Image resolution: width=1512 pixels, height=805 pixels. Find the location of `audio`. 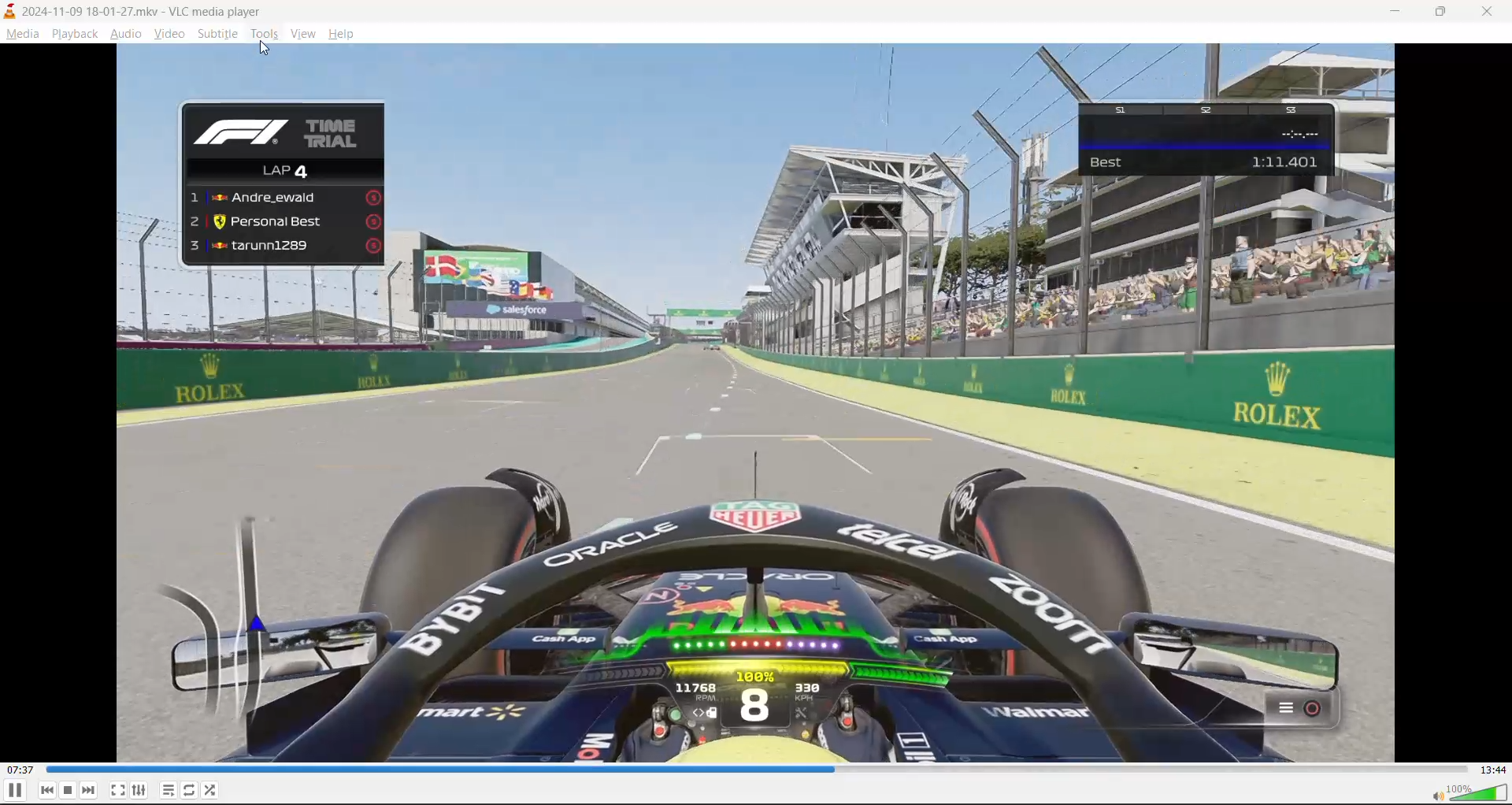

audio is located at coordinates (127, 33).